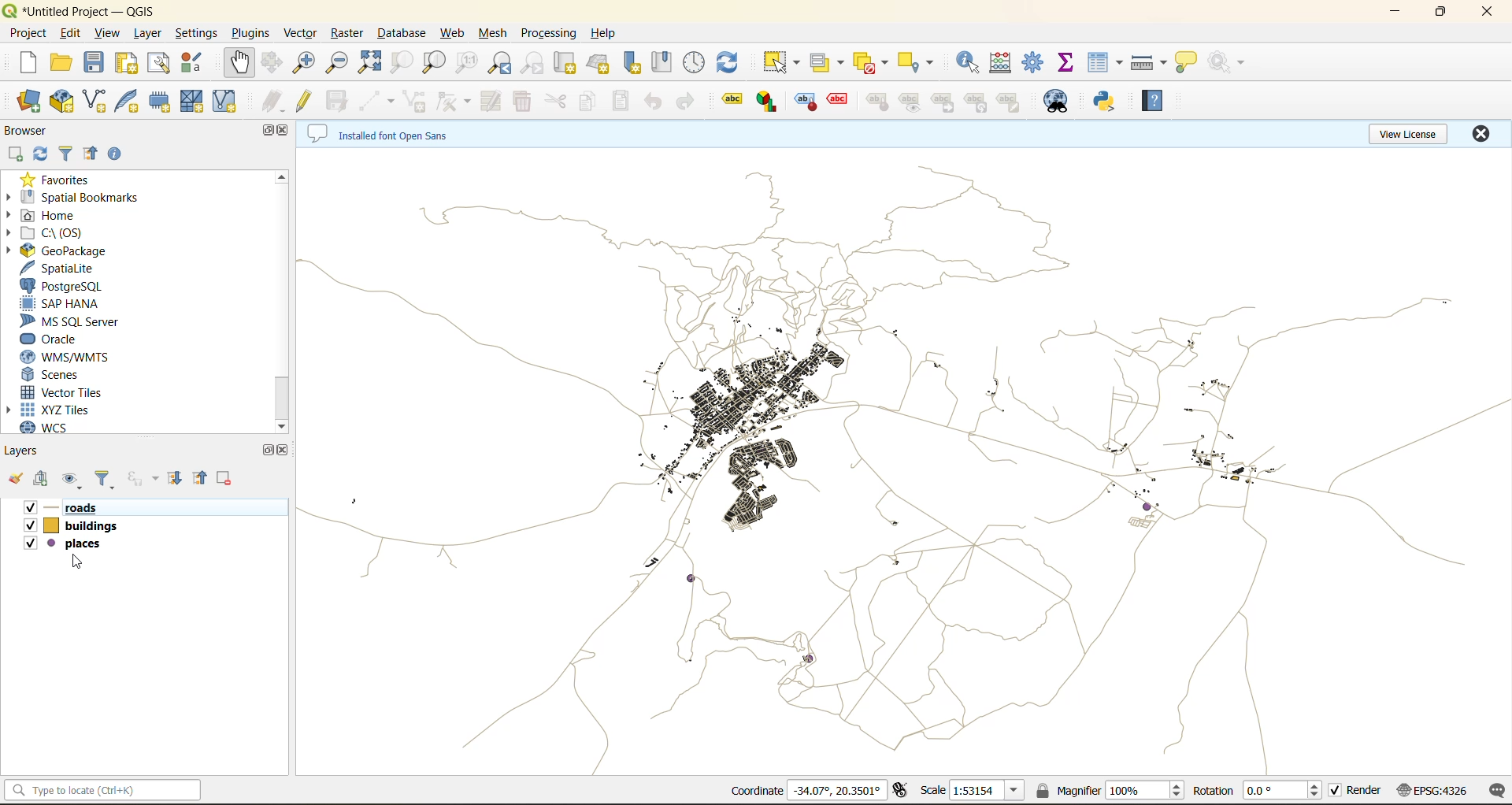 The image size is (1512, 805). What do you see at coordinates (1354, 791) in the screenshot?
I see `render` at bounding box center [1354, 791].